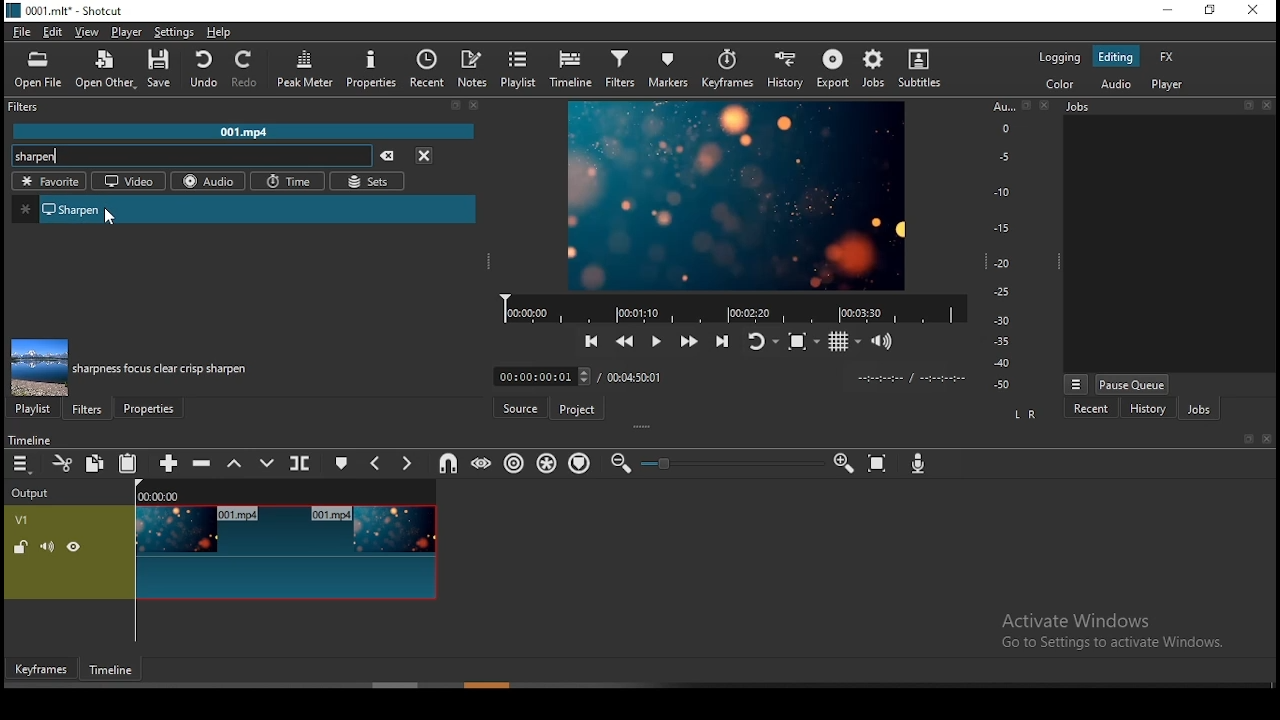 The height and width of the screenshot is (720, 1280). I want to click on zoom timeline In, so click(841, 464).